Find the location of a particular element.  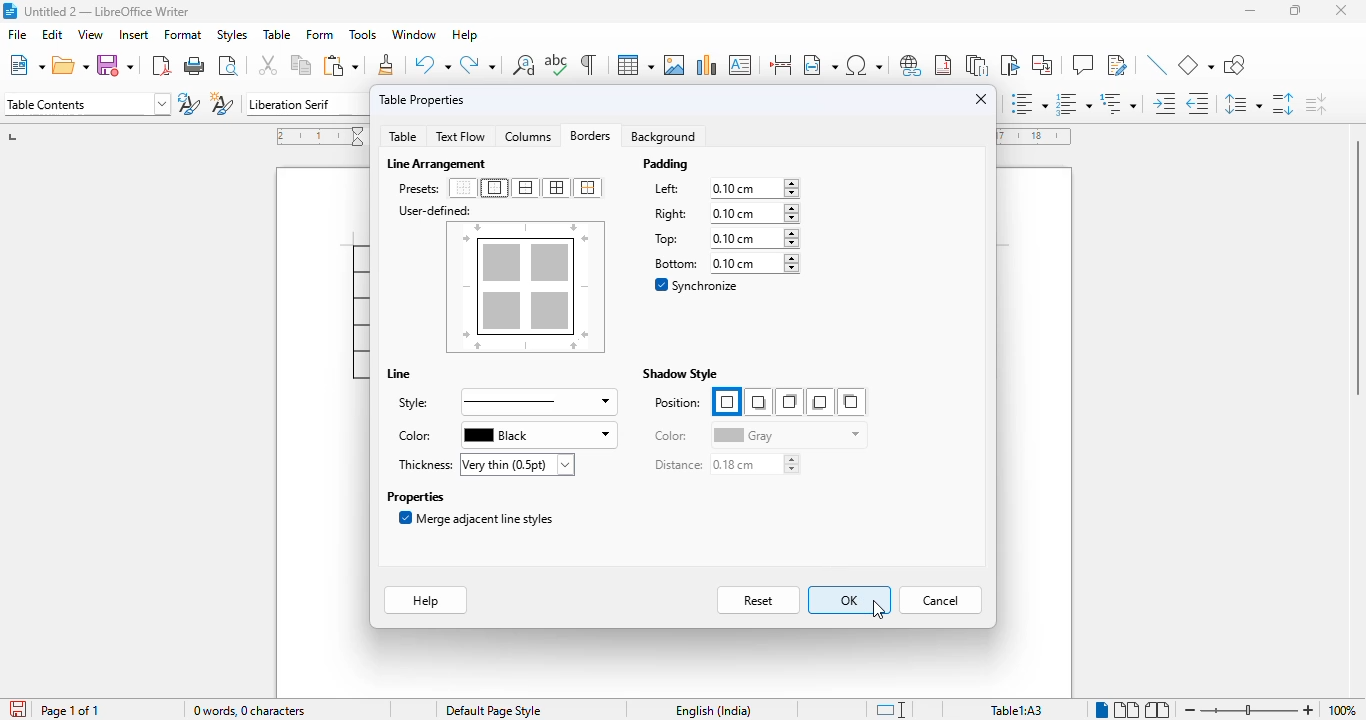

insert comment is located at coordinates (1083, 65).